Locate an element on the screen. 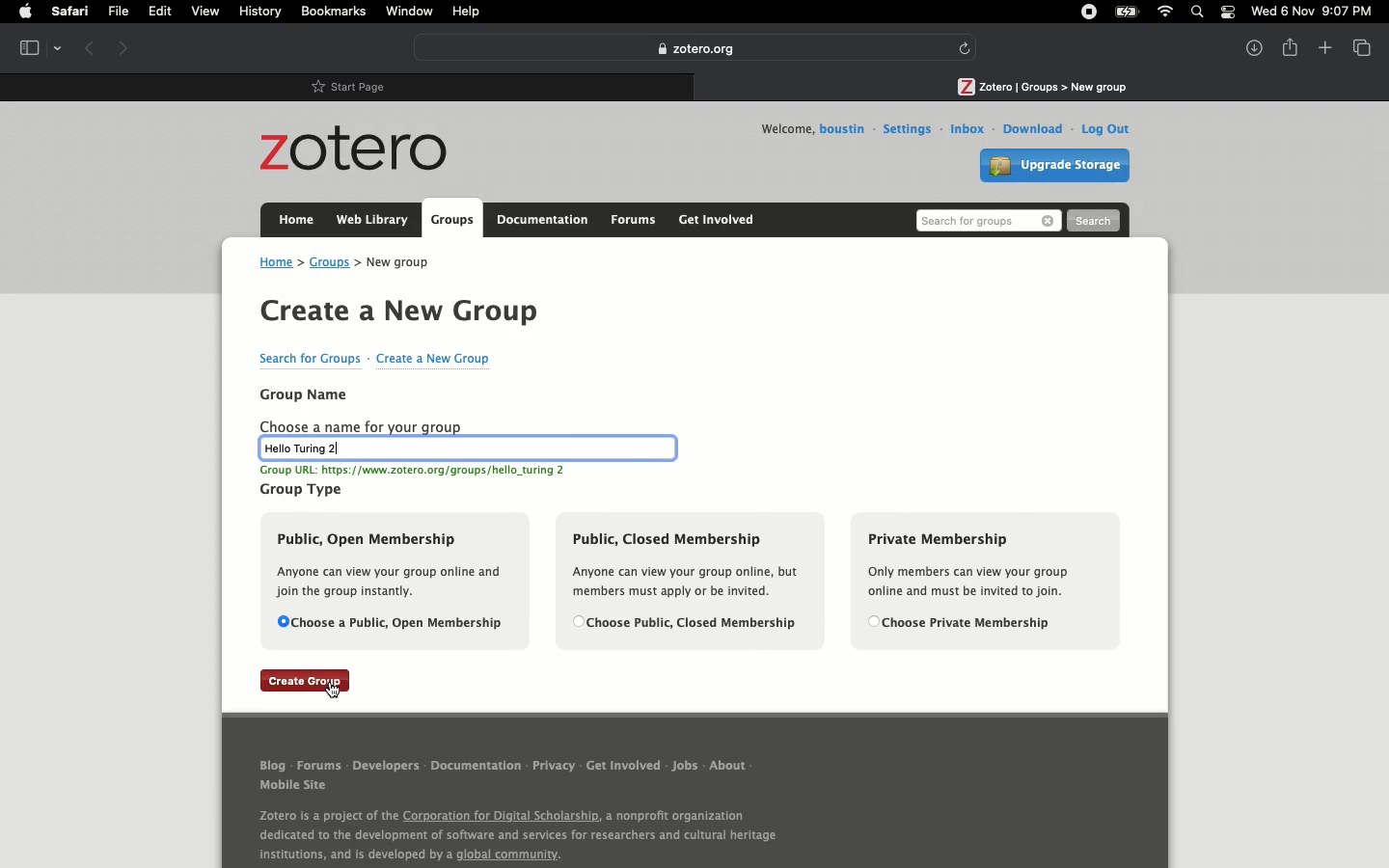 This screenshot has height=868, width=1389. Date/time is located at coordinates (1316, 12).